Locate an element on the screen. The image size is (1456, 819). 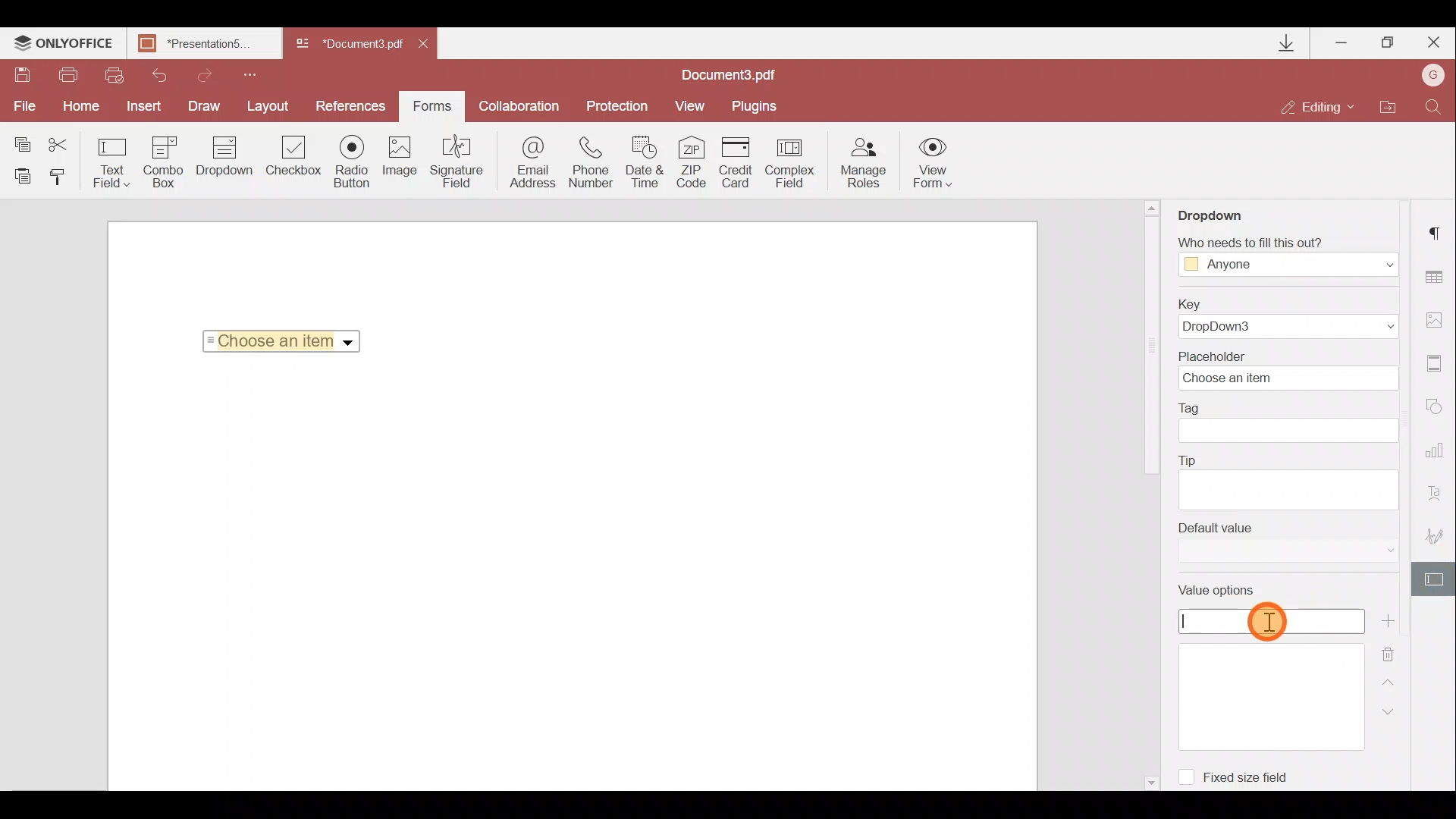
Working area is located at coordinates (570, 579).